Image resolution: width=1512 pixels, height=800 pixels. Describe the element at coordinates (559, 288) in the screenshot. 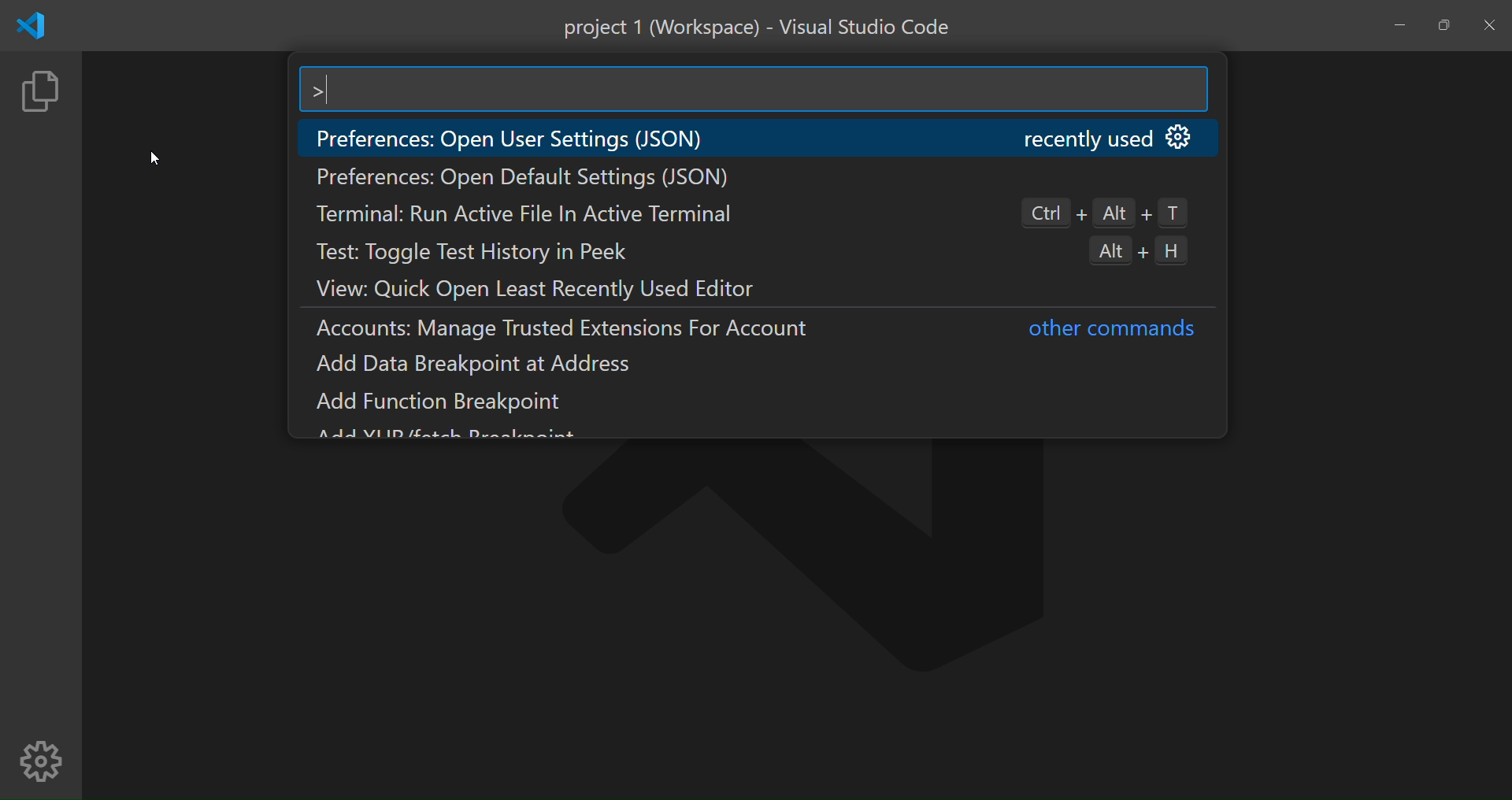

I see `view quick open` at that location.